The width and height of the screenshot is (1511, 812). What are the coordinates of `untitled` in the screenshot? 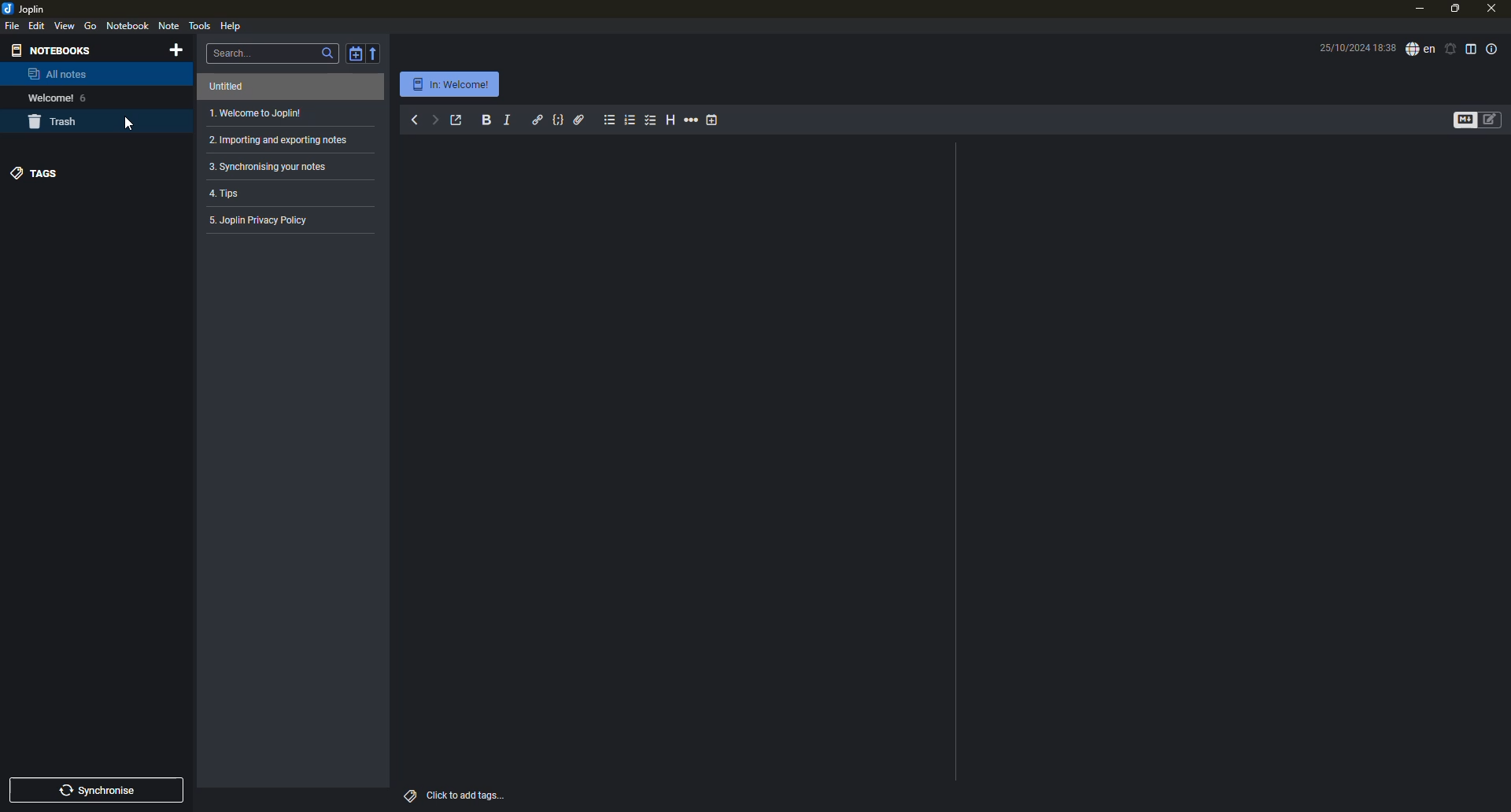 It's located at (231, 87).